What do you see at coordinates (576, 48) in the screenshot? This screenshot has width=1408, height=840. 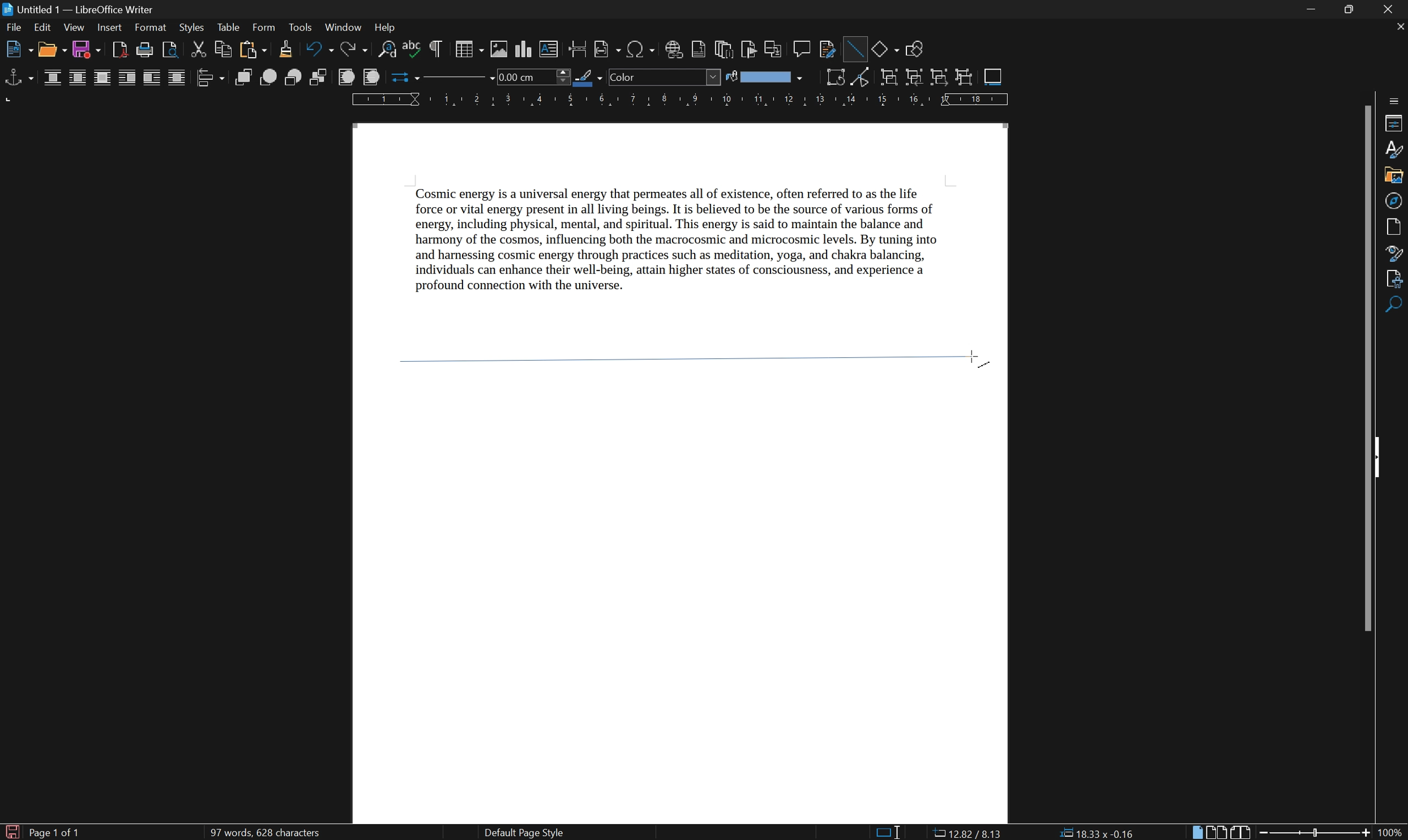 I see `insert page break` at bounding box center [576, 48].